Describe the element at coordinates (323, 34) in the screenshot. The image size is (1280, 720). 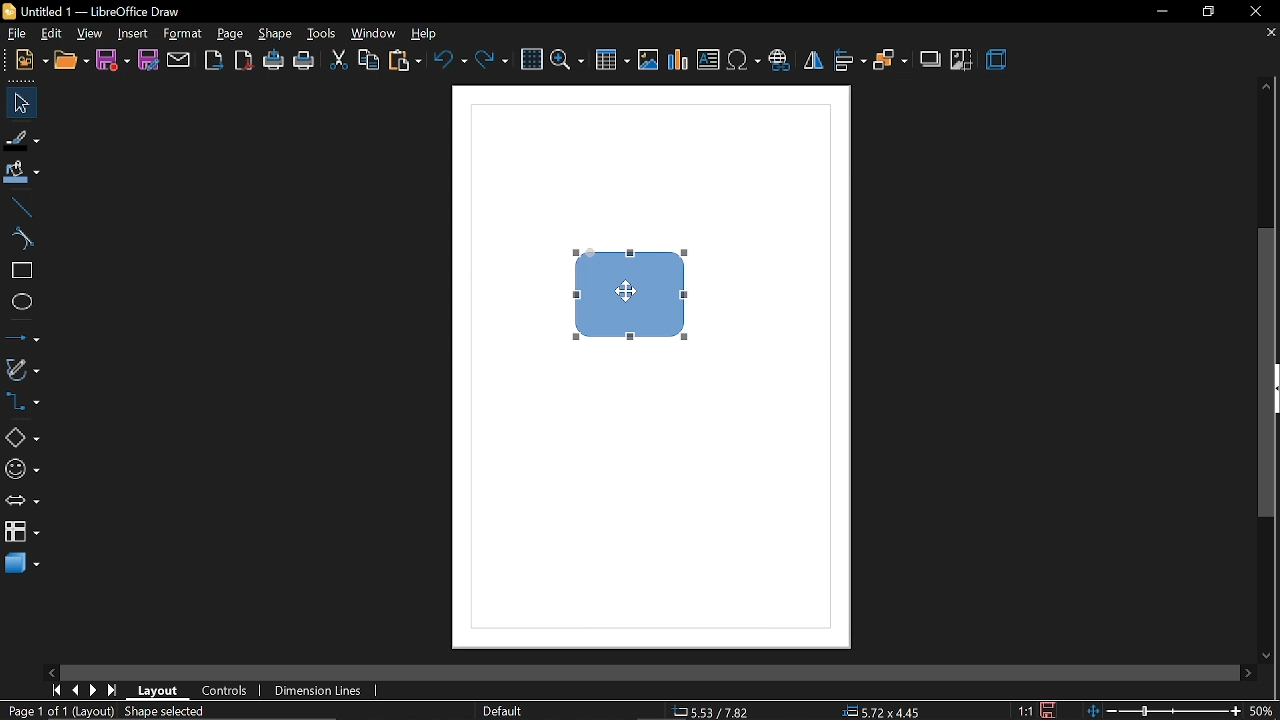
I see `tools` at that location.